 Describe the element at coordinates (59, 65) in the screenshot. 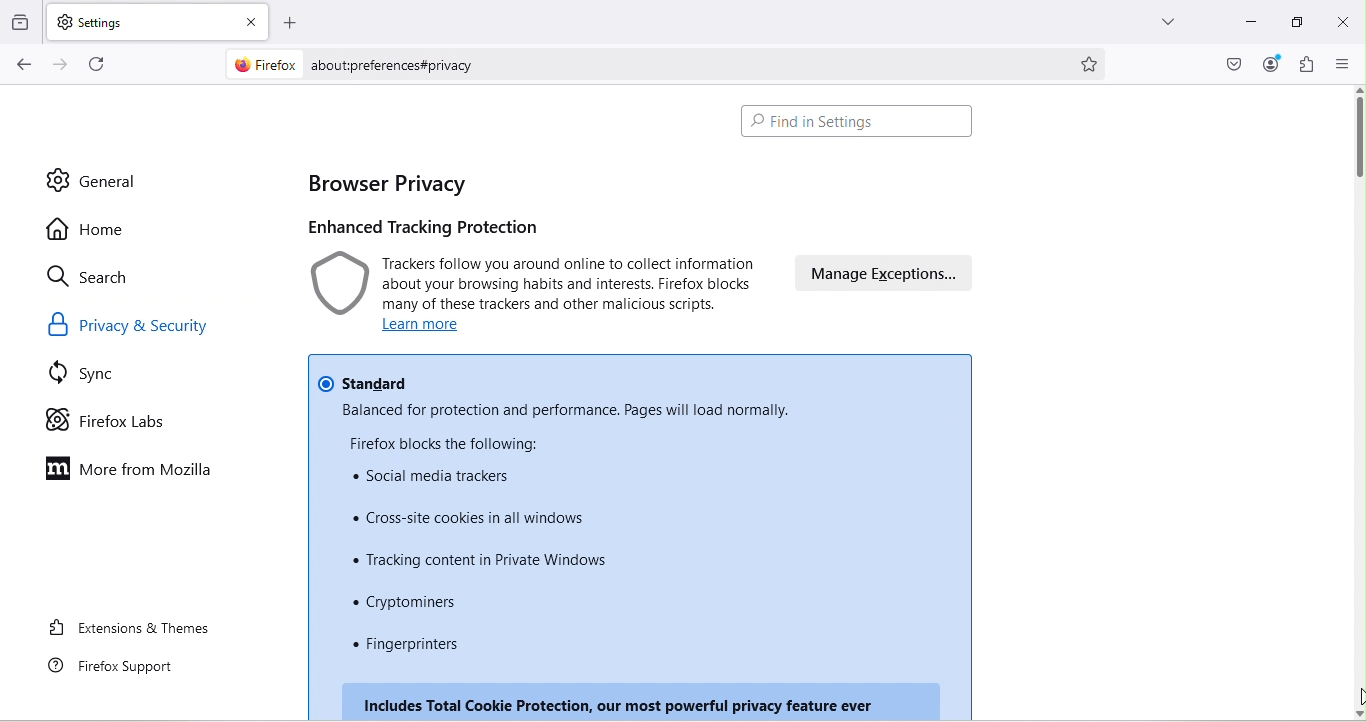

I see `Go forward one page` at that location.